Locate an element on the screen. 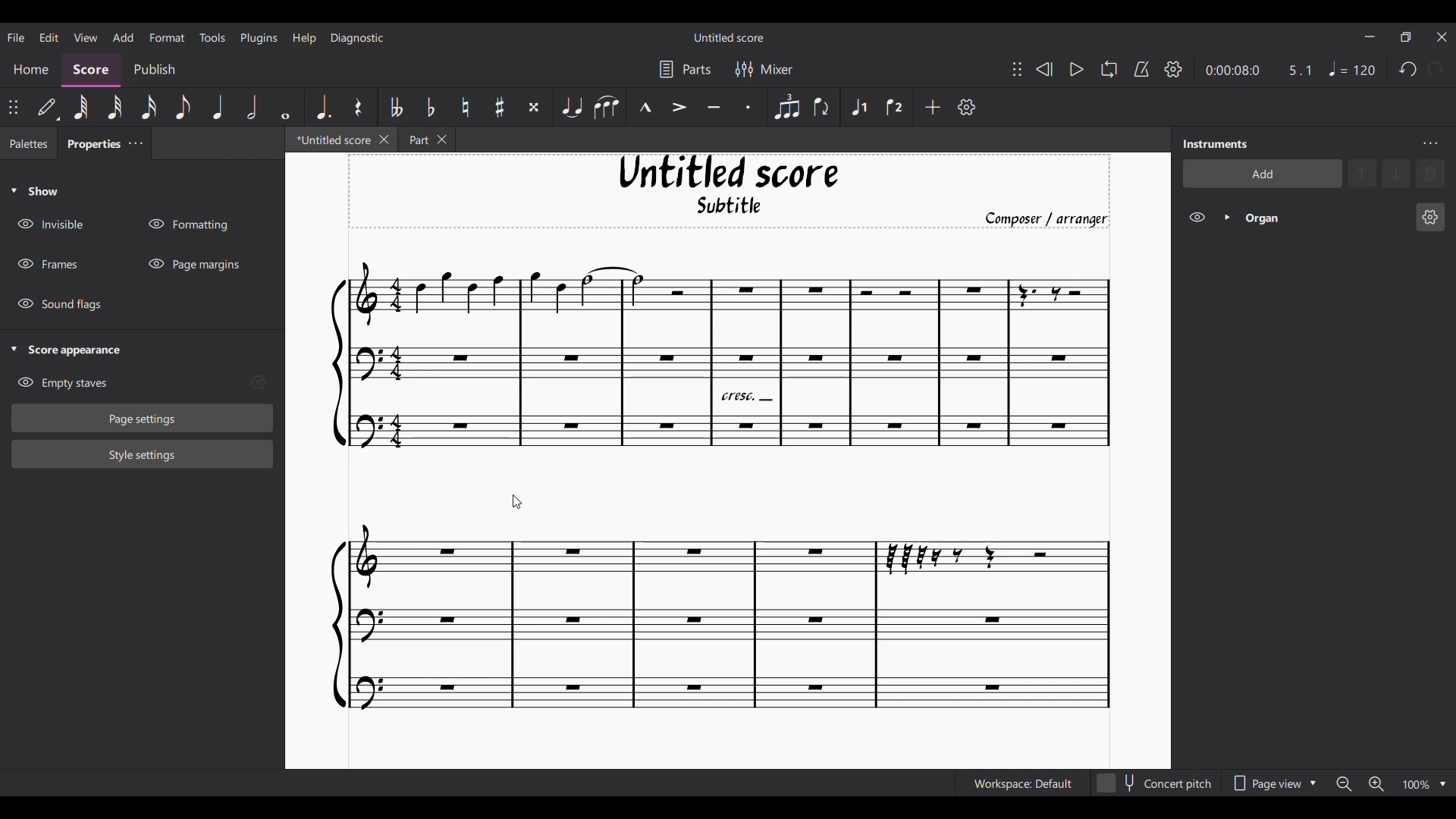  Hide Invisible is located at coordinates (50, 224).